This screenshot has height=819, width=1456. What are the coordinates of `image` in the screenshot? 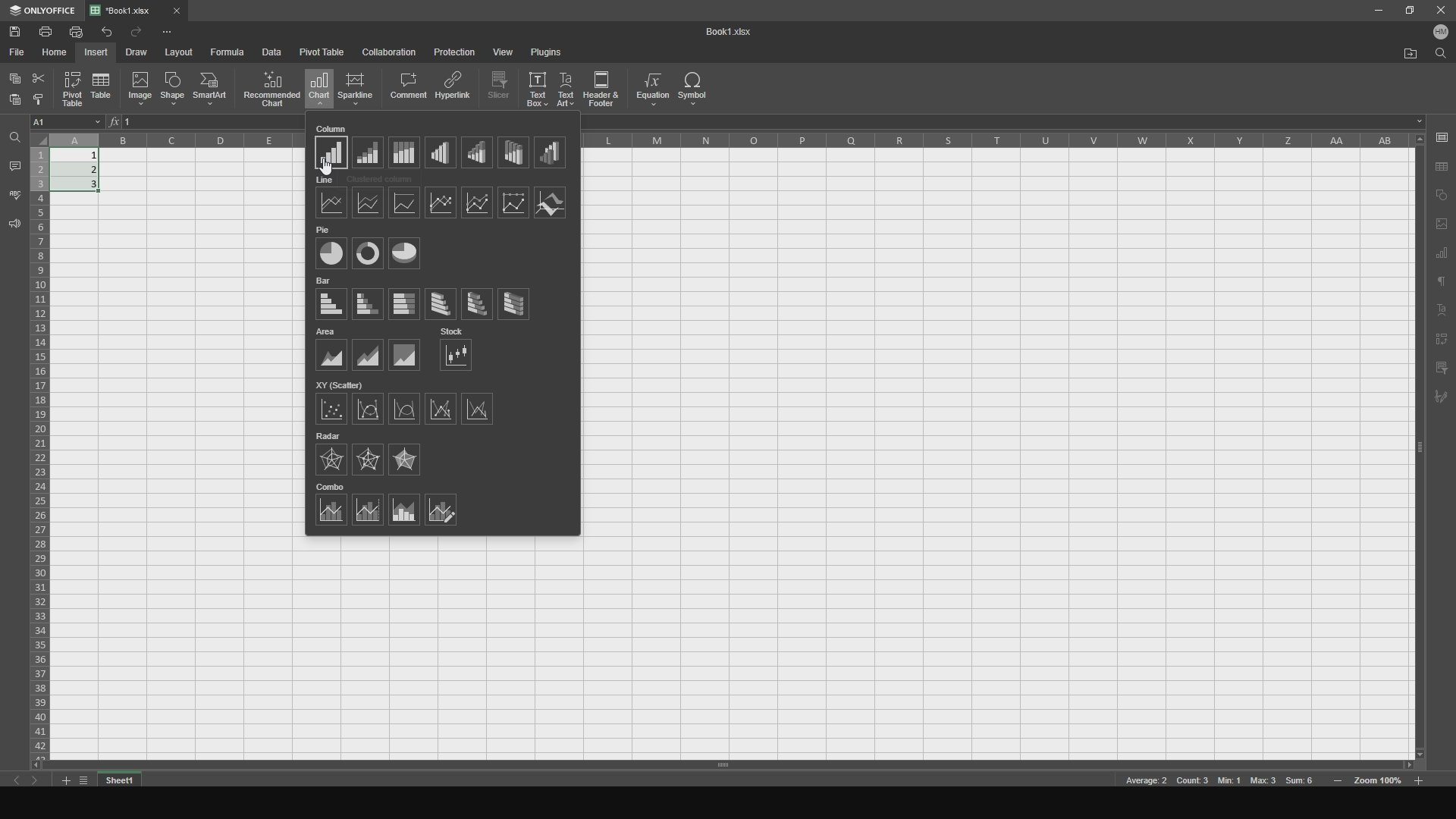 It's located at (137, 90).